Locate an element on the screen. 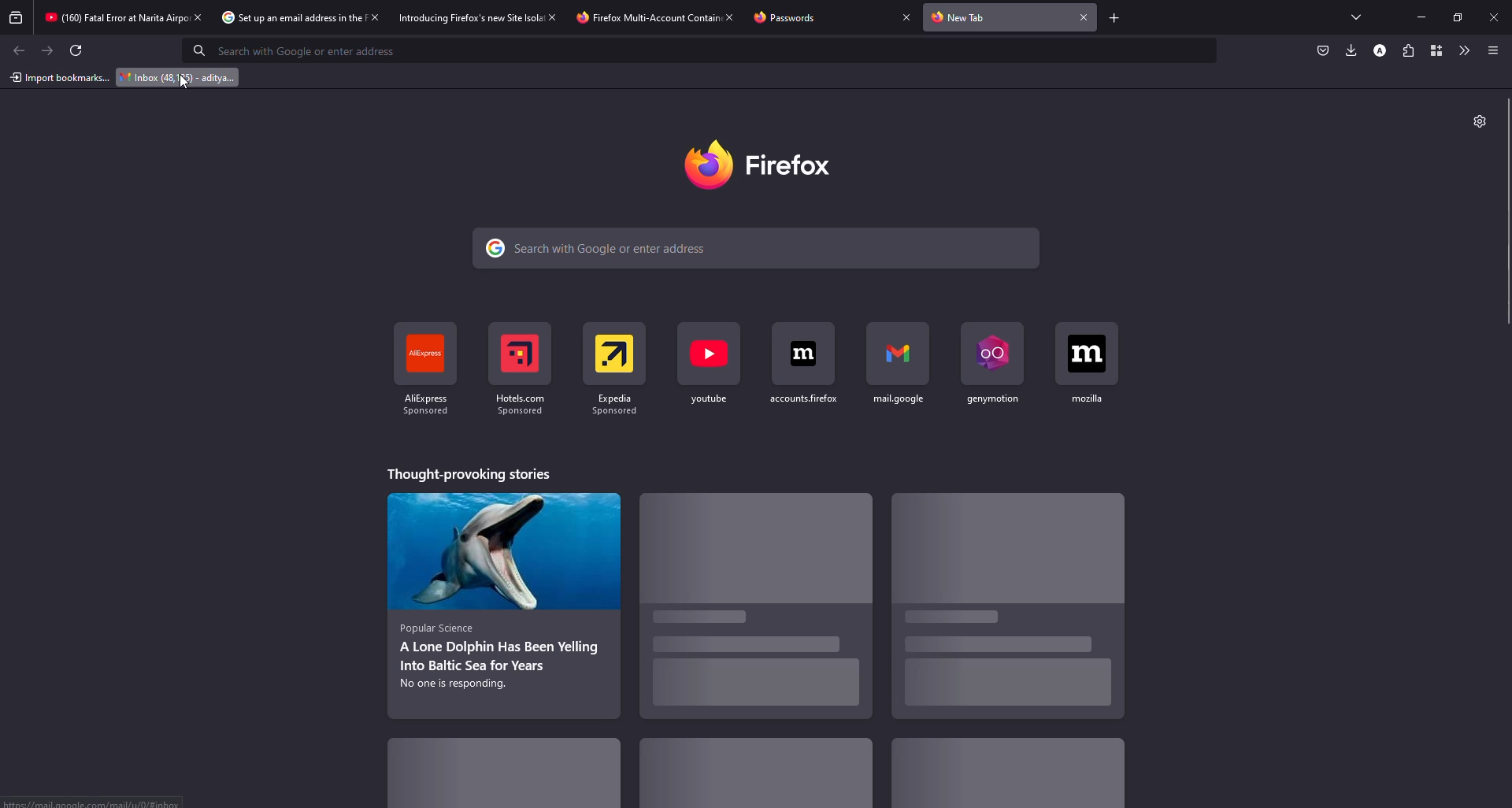  close is located at coordinates (1085, 17).